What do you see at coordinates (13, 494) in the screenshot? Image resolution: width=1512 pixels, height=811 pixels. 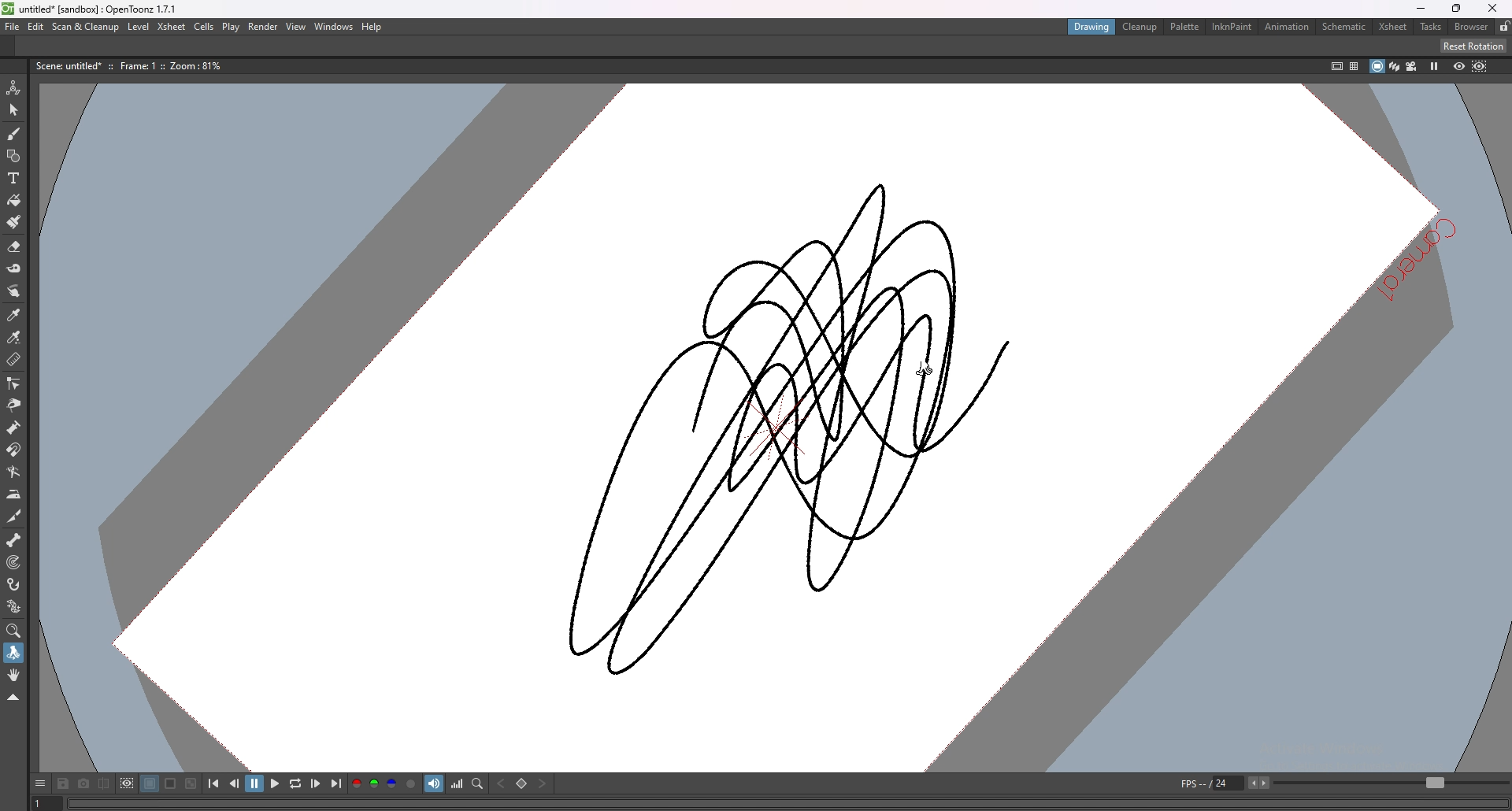 I see `iron` at bounding box center [13, 494].